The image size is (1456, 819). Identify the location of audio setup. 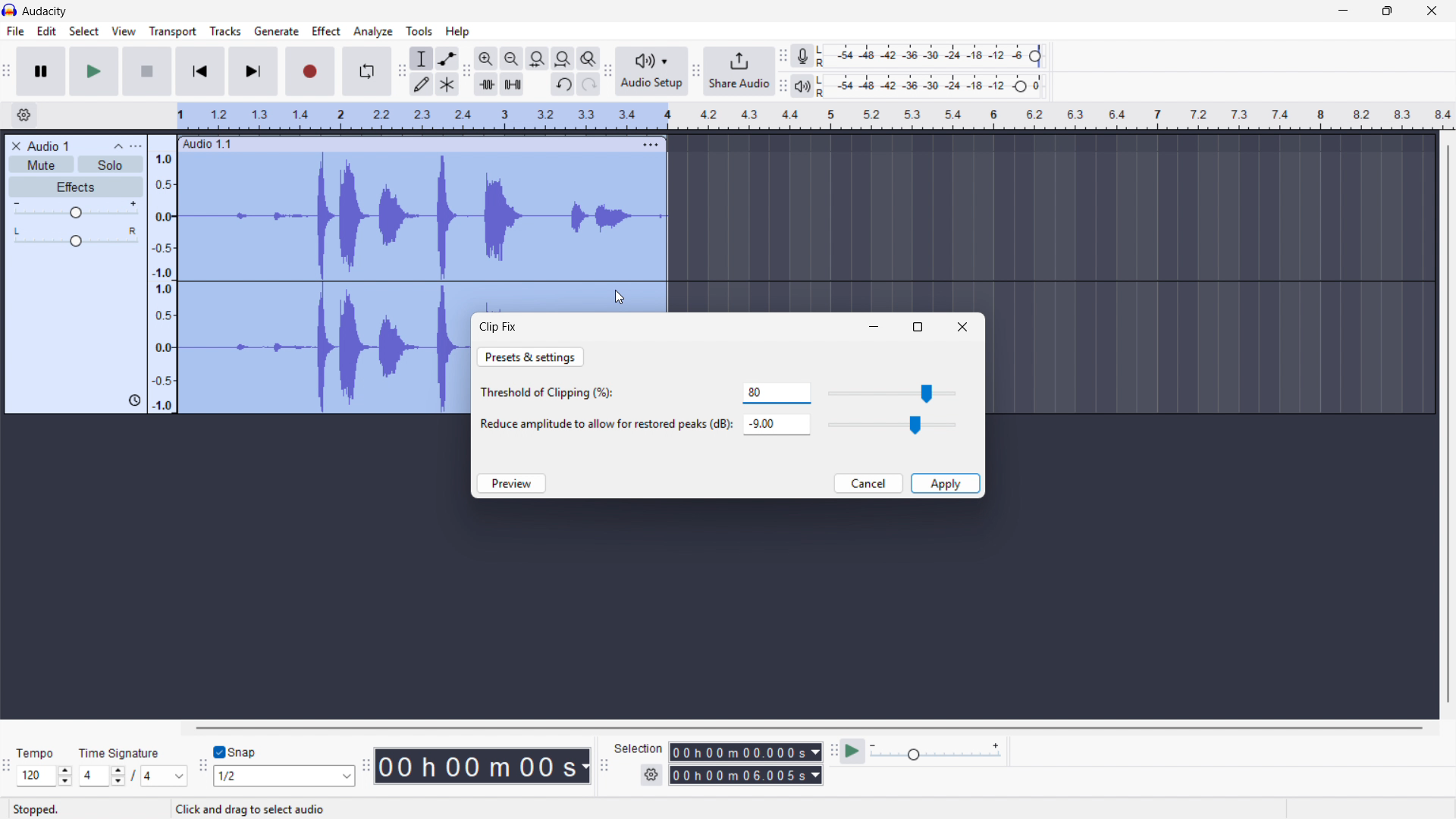
(652, 71).